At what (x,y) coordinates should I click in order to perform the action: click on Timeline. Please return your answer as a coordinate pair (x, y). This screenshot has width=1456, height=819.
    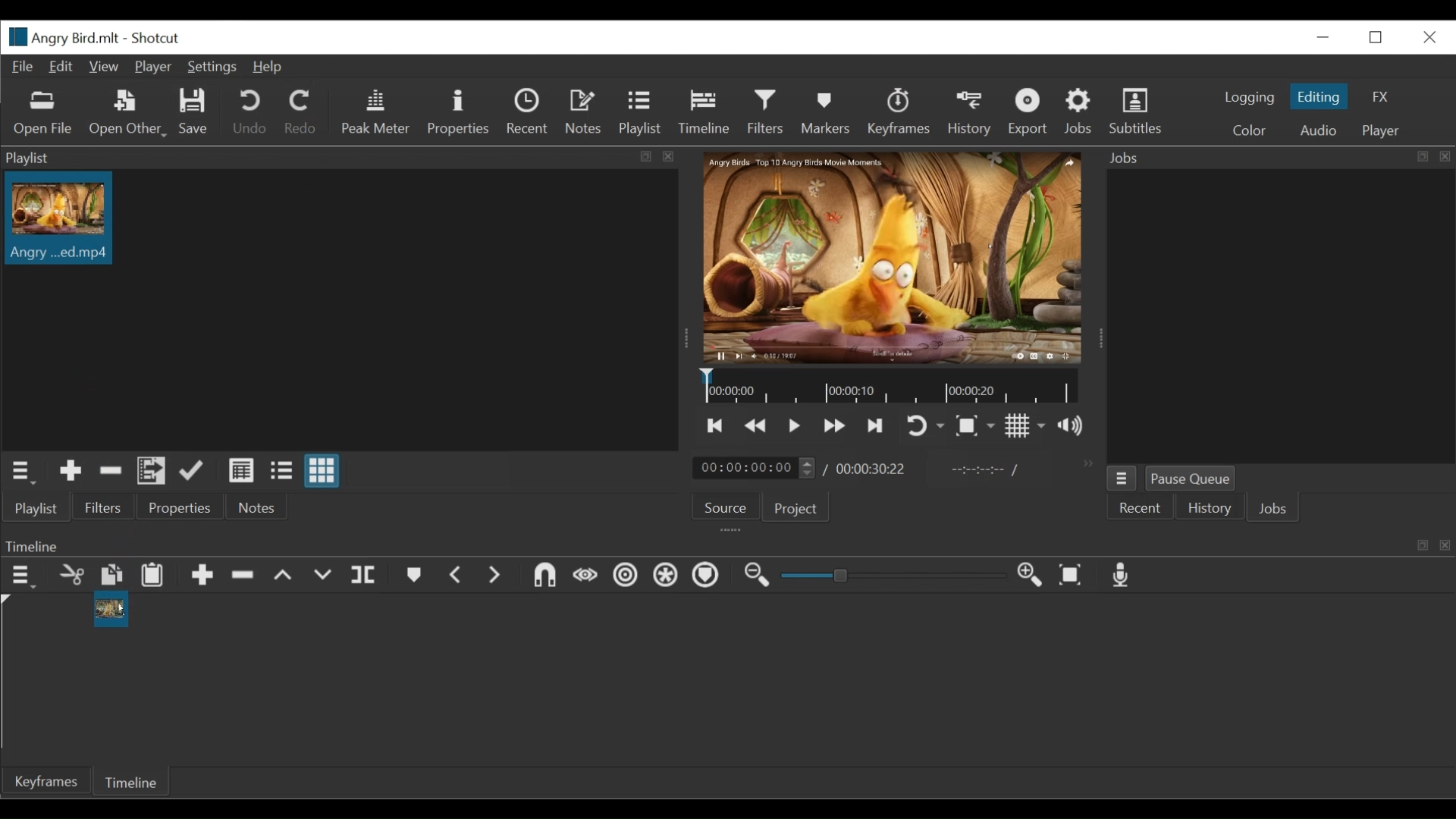
    Looking at the image, I should click on (703, 112).